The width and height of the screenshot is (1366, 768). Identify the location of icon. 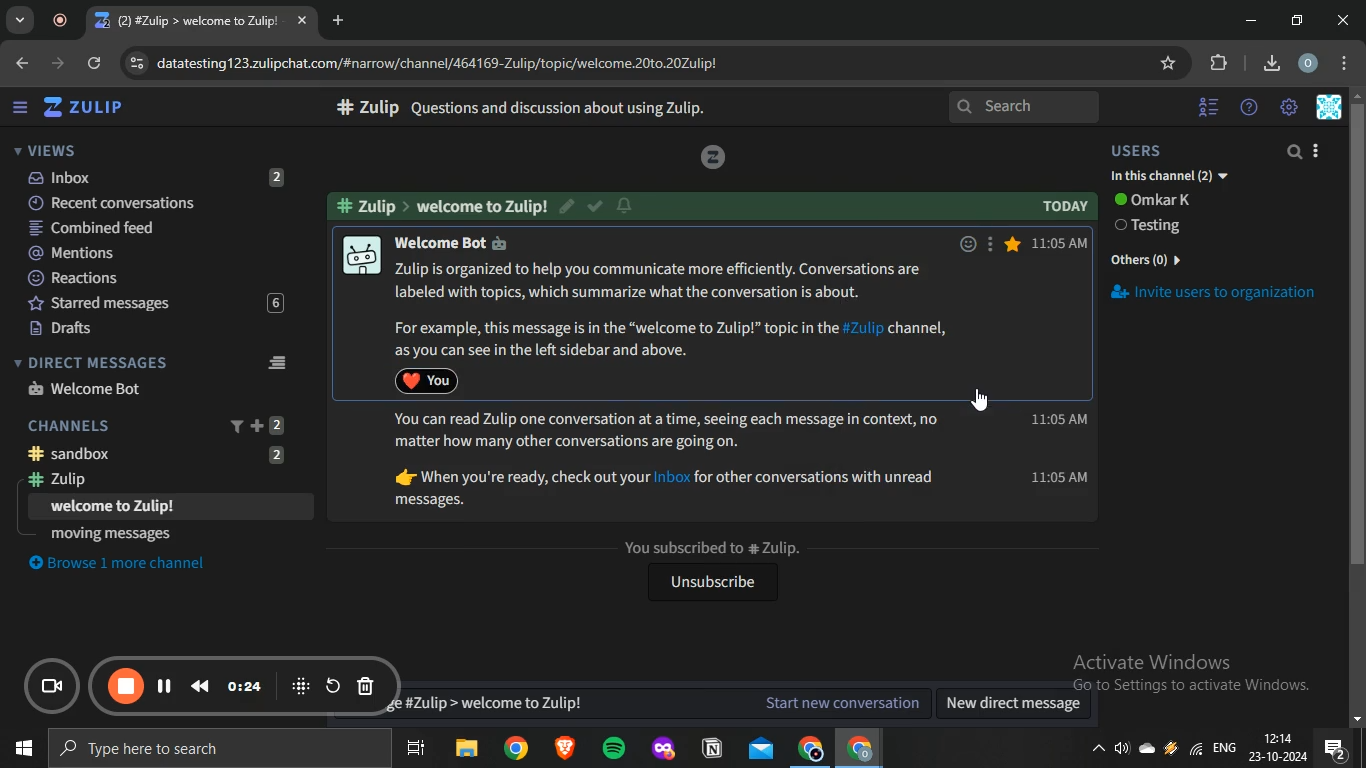
(301, 685).